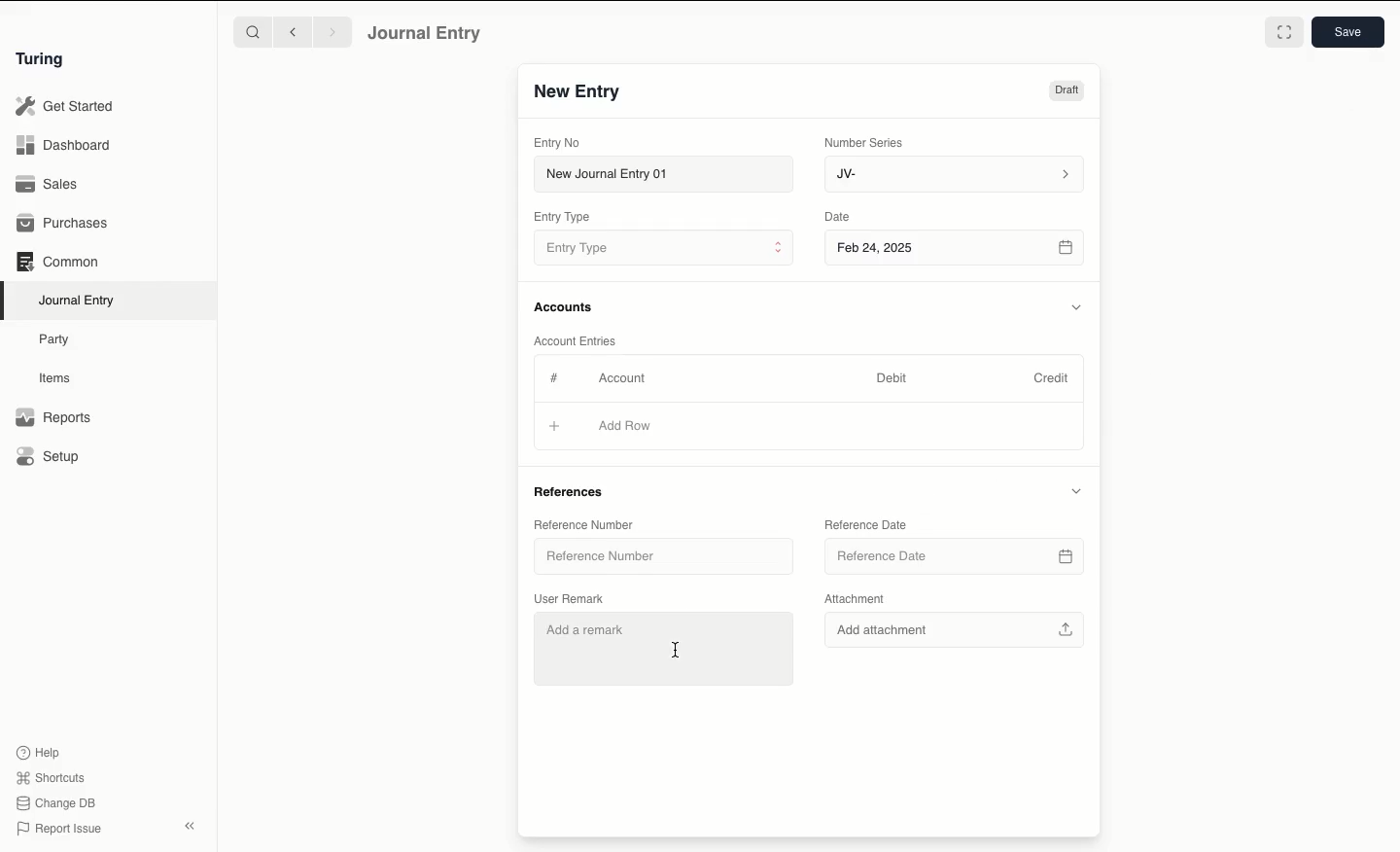 The width and height of the screenshot is (1400, 852). What do you see at coordinates (55, 377) in the screenshot?
I see `Items` at bounding box center [55, 377].